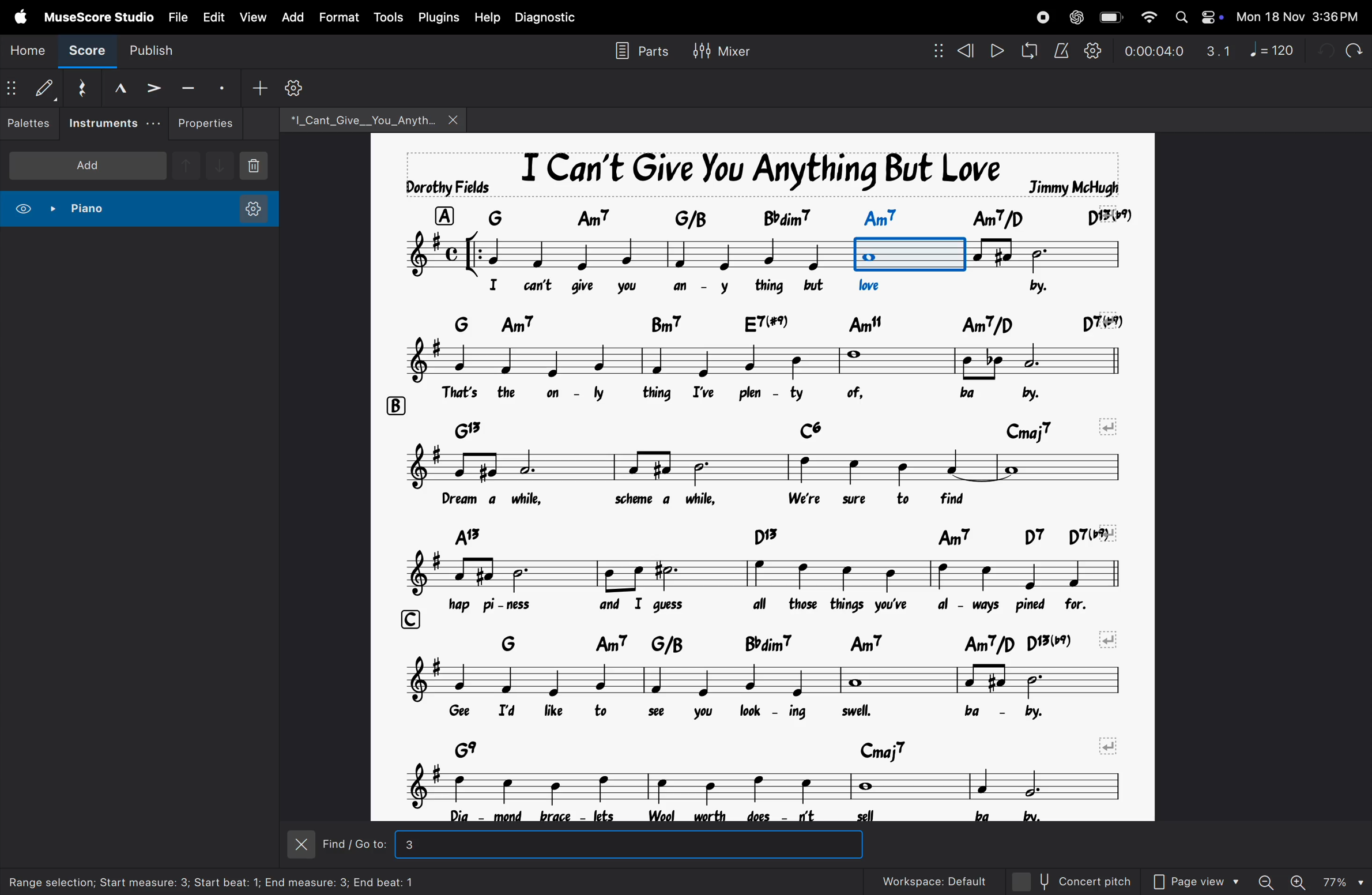 The height and width of the screenshot is (895, 1372). I want to click on chord symbols, so click(787, 319).